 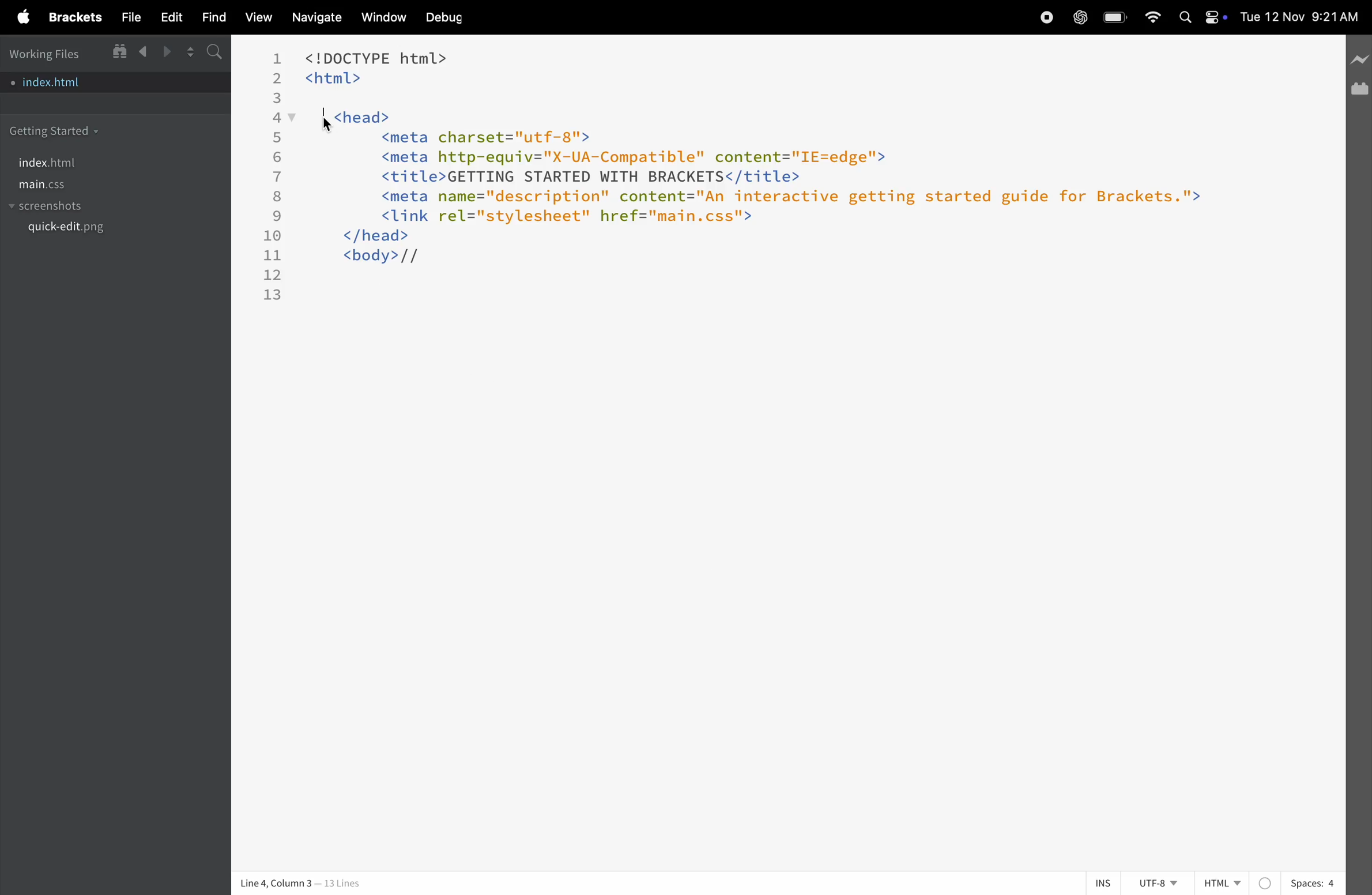 What do you see at coordinates (74, 184) in the screenshot?
I see `main.css` at bounding box center [74, 184].